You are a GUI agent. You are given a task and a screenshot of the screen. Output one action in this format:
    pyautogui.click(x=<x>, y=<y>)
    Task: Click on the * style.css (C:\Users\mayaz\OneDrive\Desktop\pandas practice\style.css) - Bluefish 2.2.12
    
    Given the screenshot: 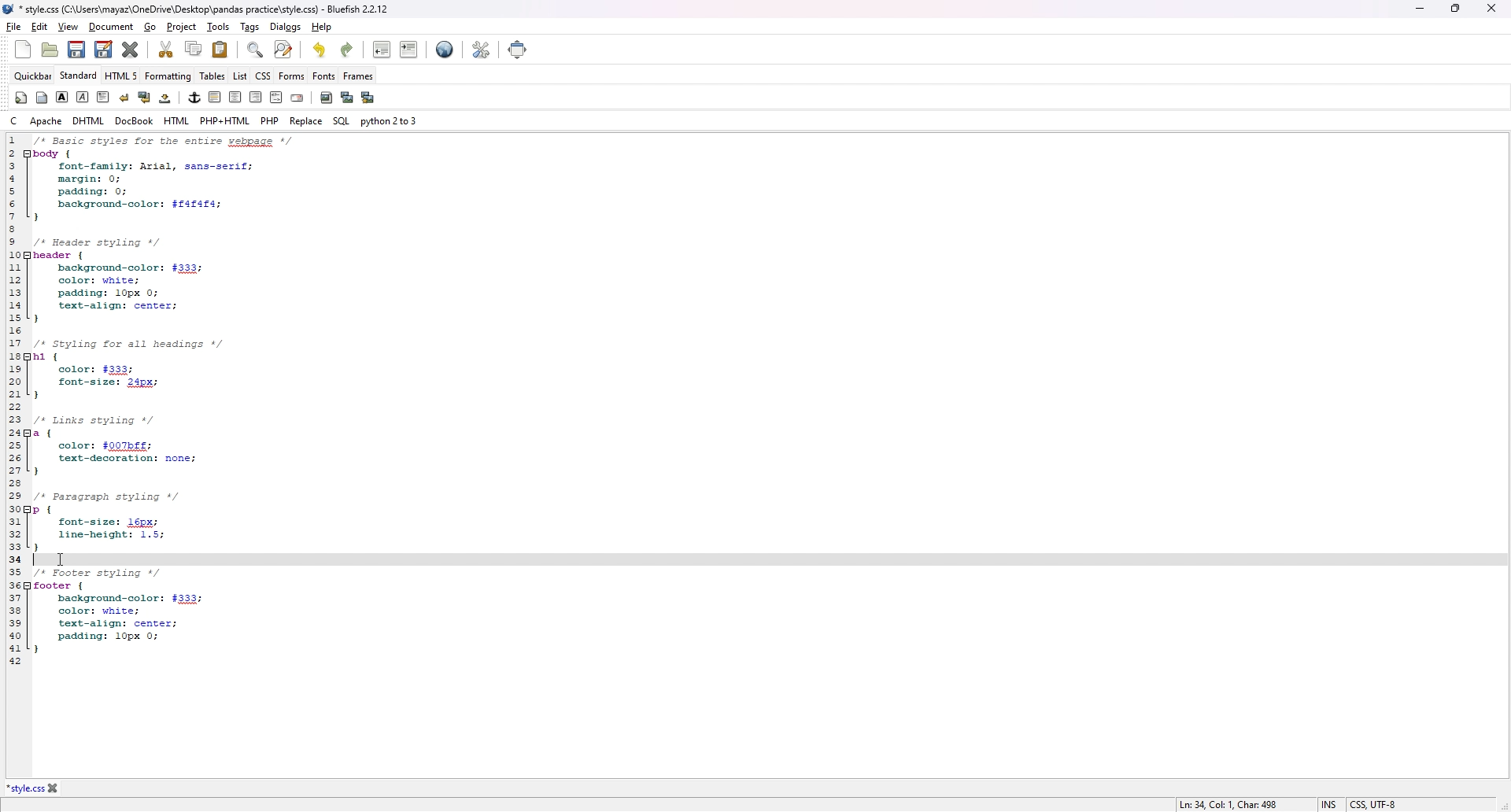 What is the action you would take?
    pyautogui.click(x=201, y=9)
    